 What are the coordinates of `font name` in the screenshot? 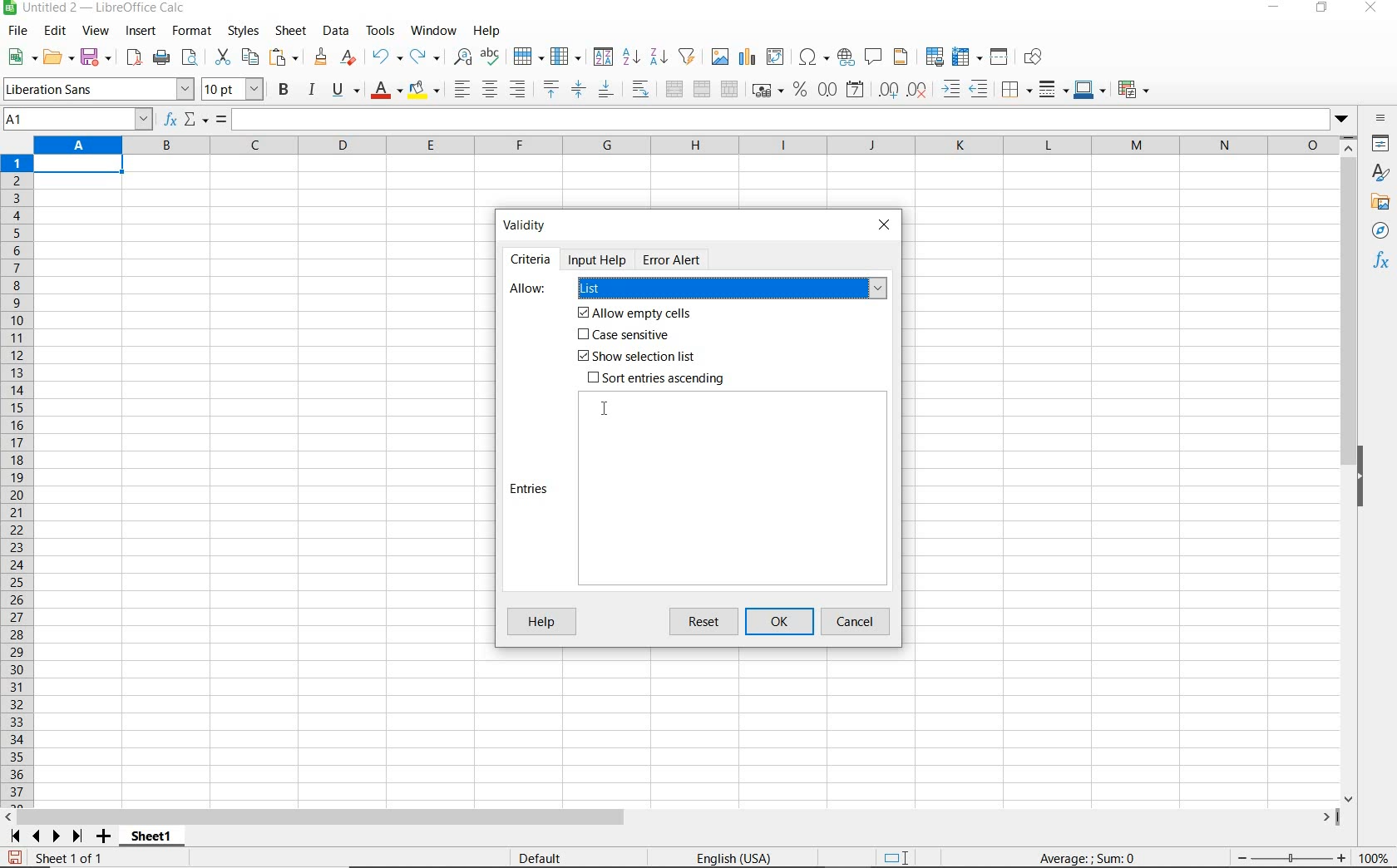 It's located at (98, 89).